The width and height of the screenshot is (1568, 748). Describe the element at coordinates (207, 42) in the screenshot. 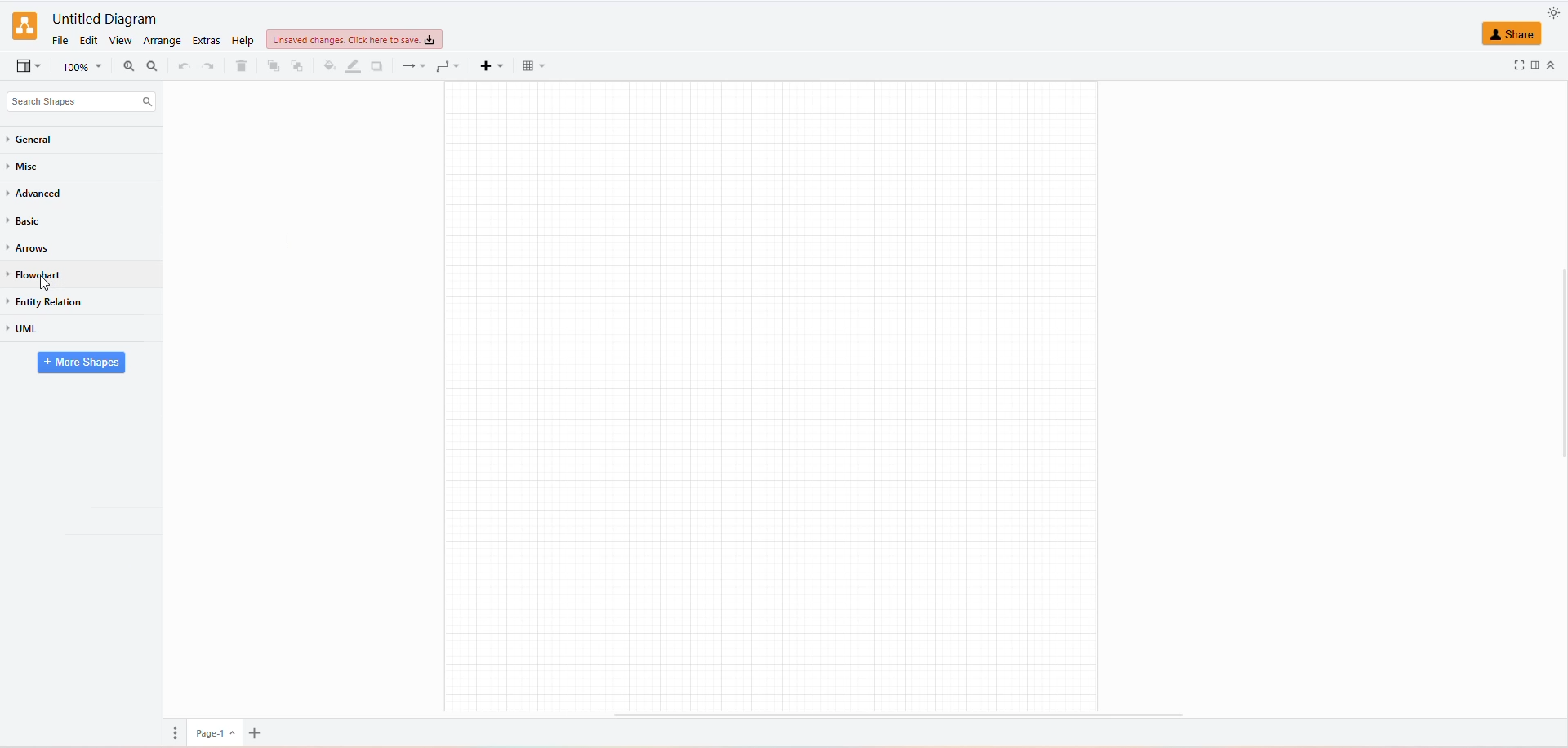

I see `EDIT` at that location.